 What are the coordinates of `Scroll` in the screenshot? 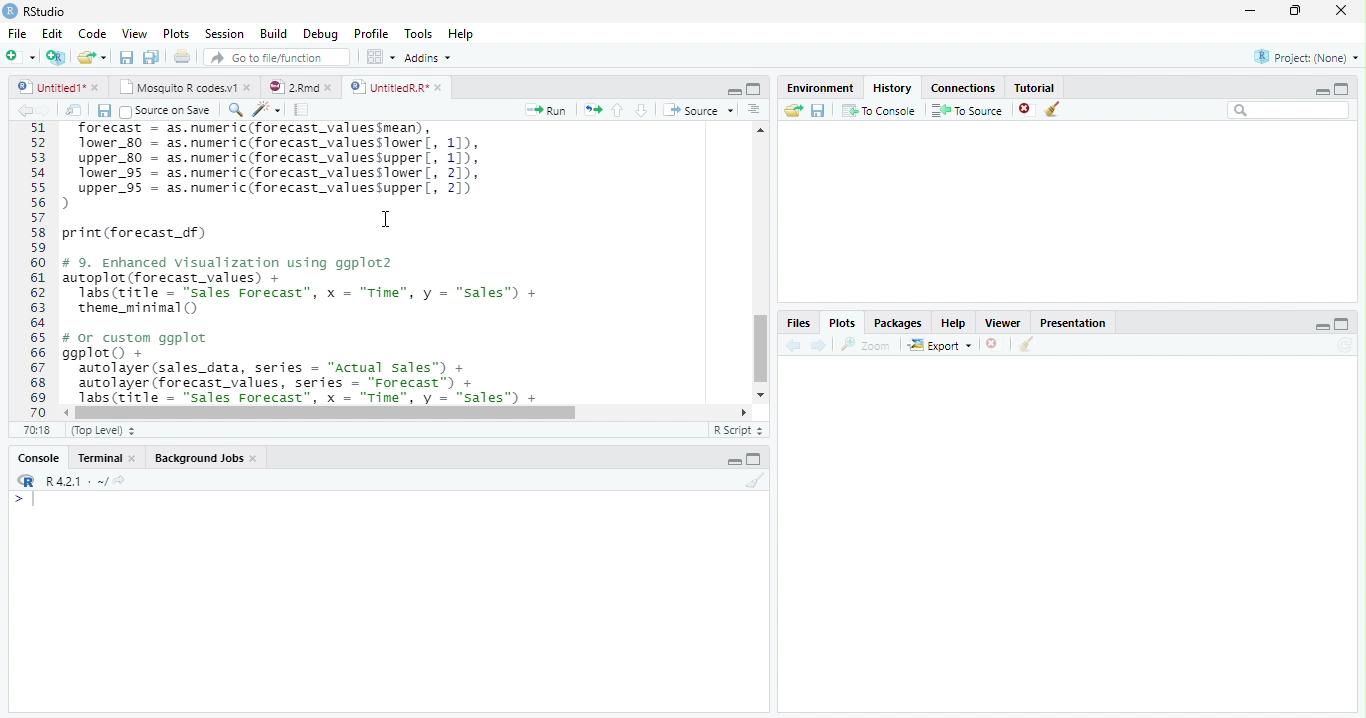 It's located at (405, 412).